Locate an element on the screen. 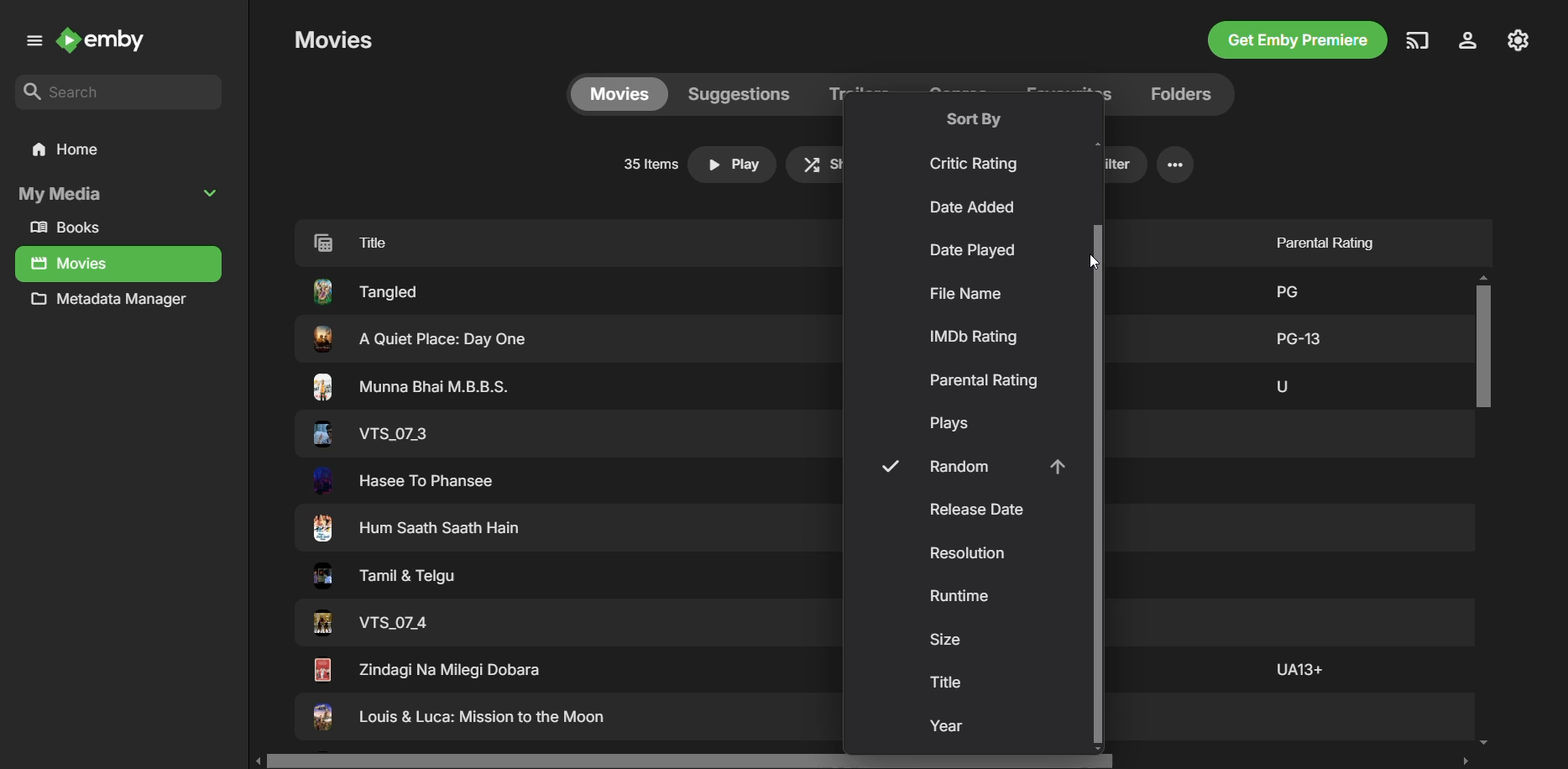  Year is located at coordinates (949, 728).